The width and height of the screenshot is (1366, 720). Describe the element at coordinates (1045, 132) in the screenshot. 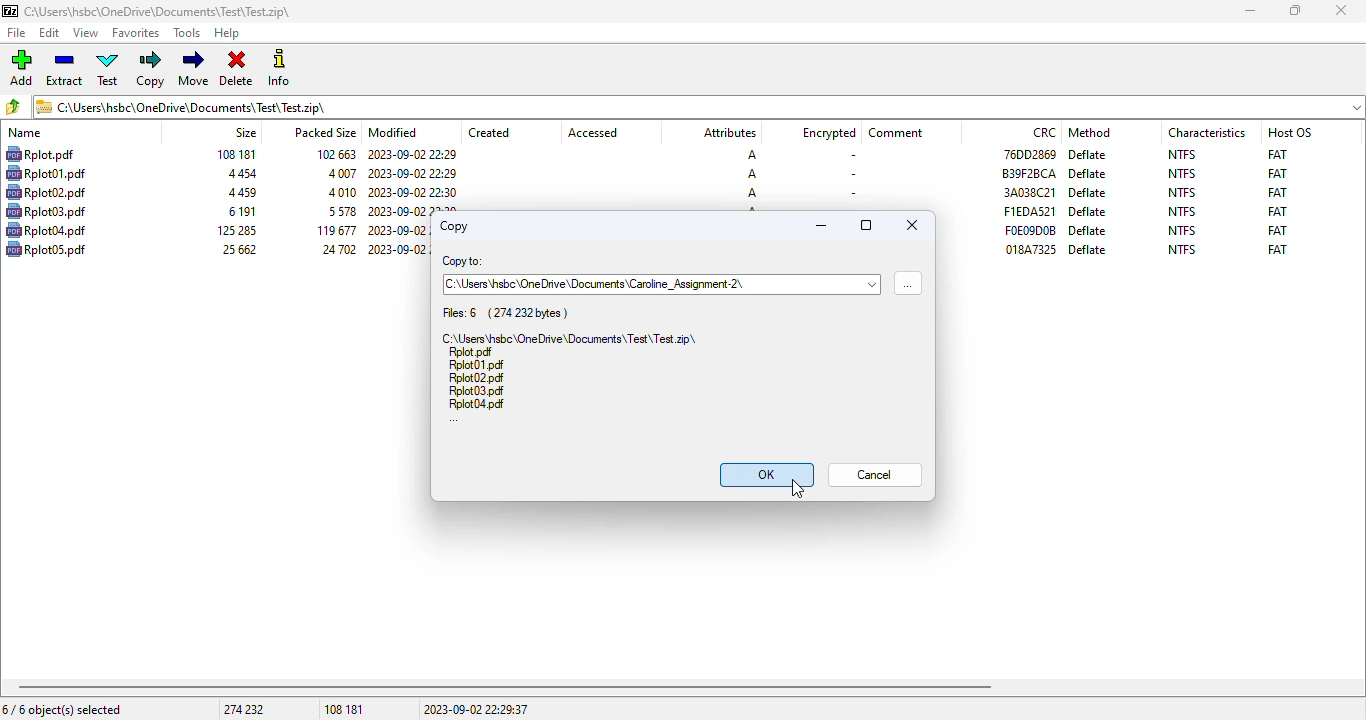

I see `CRC` at that location.